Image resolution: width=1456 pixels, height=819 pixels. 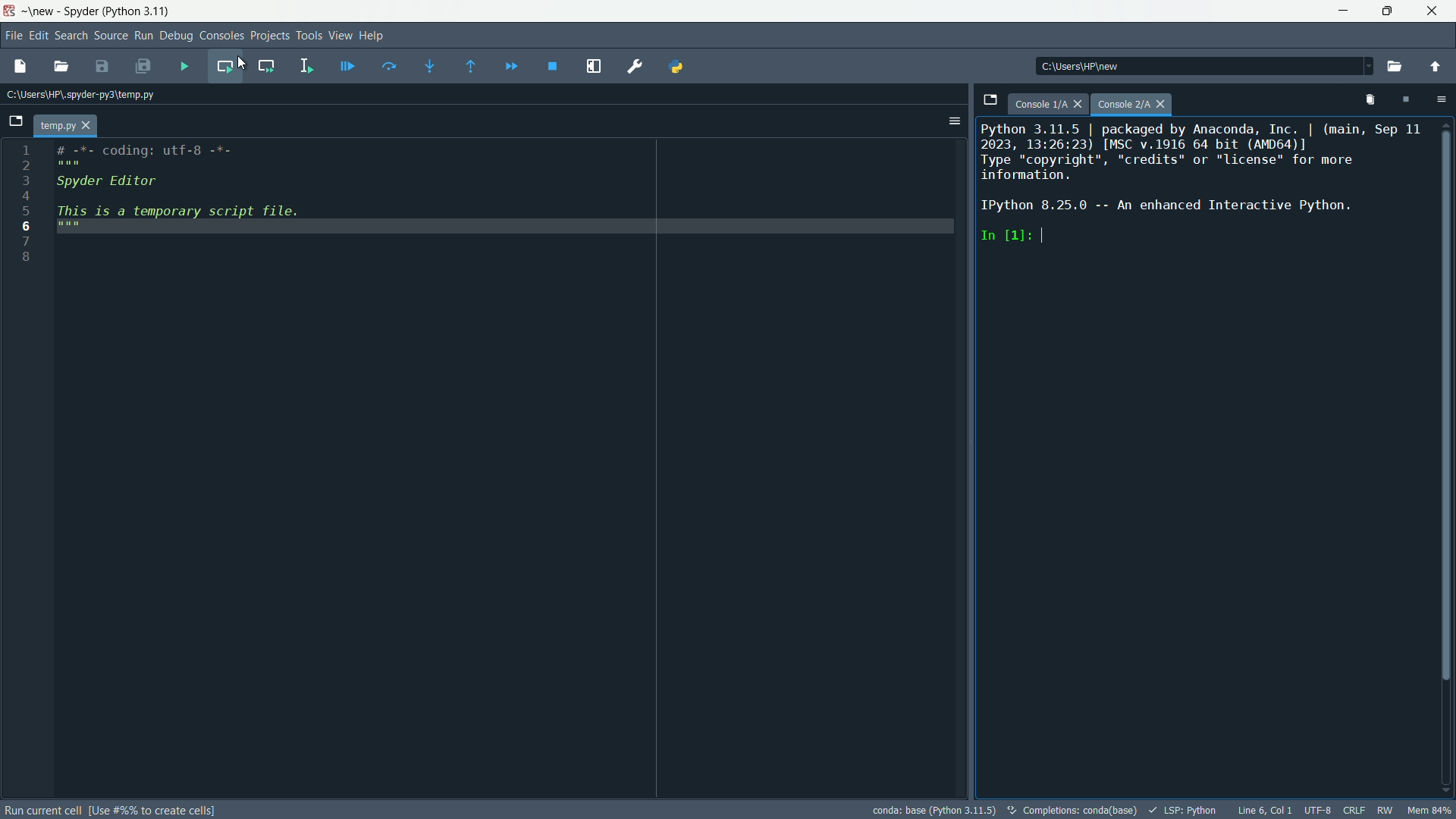 I want to click on # -%=- Coding: utf-8 -7-Spyder EditorThis is a temporary script file., so click(x=503, y=190).